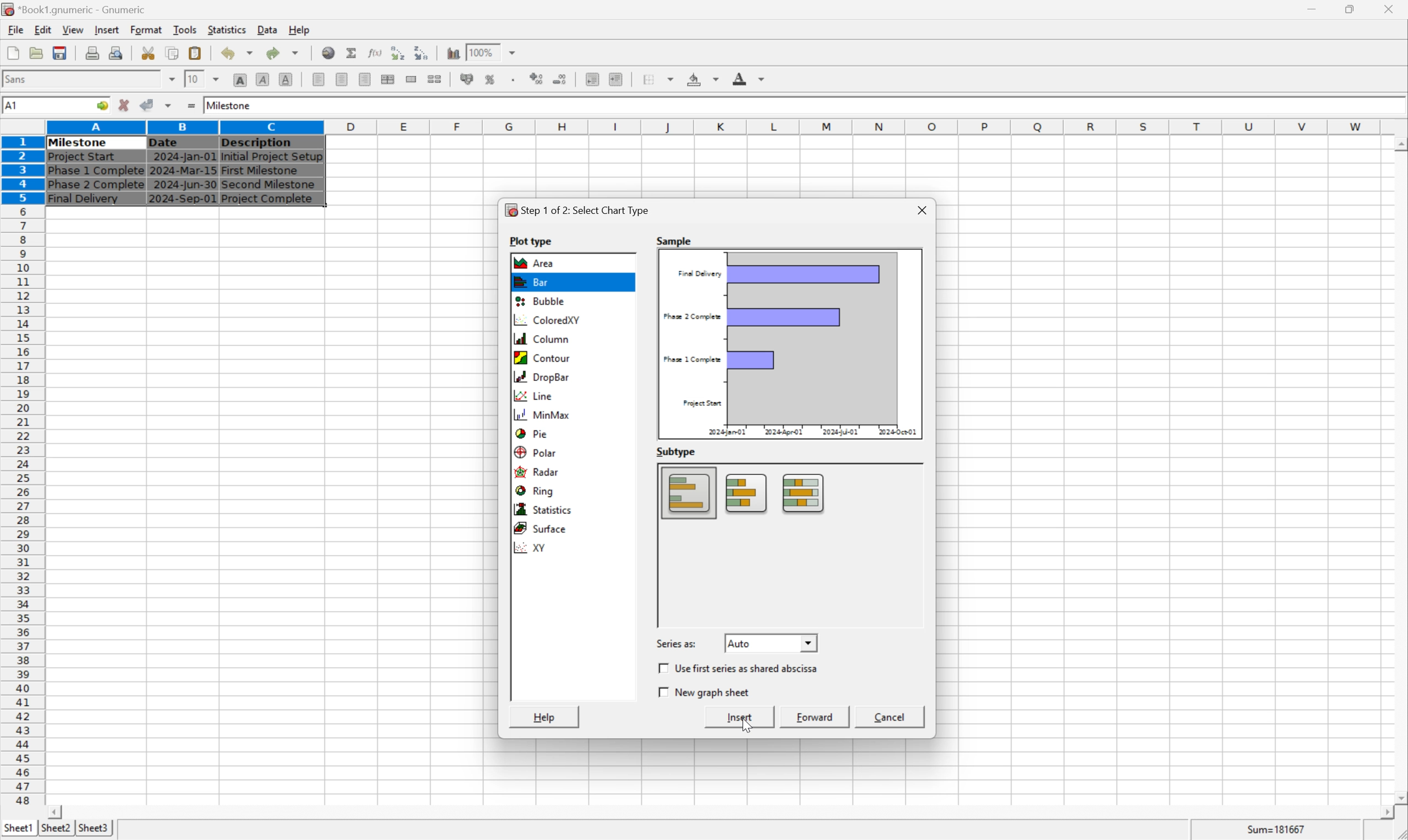 This screenshot has width=1408, height=840. I want to click on help, so click(299, 28).